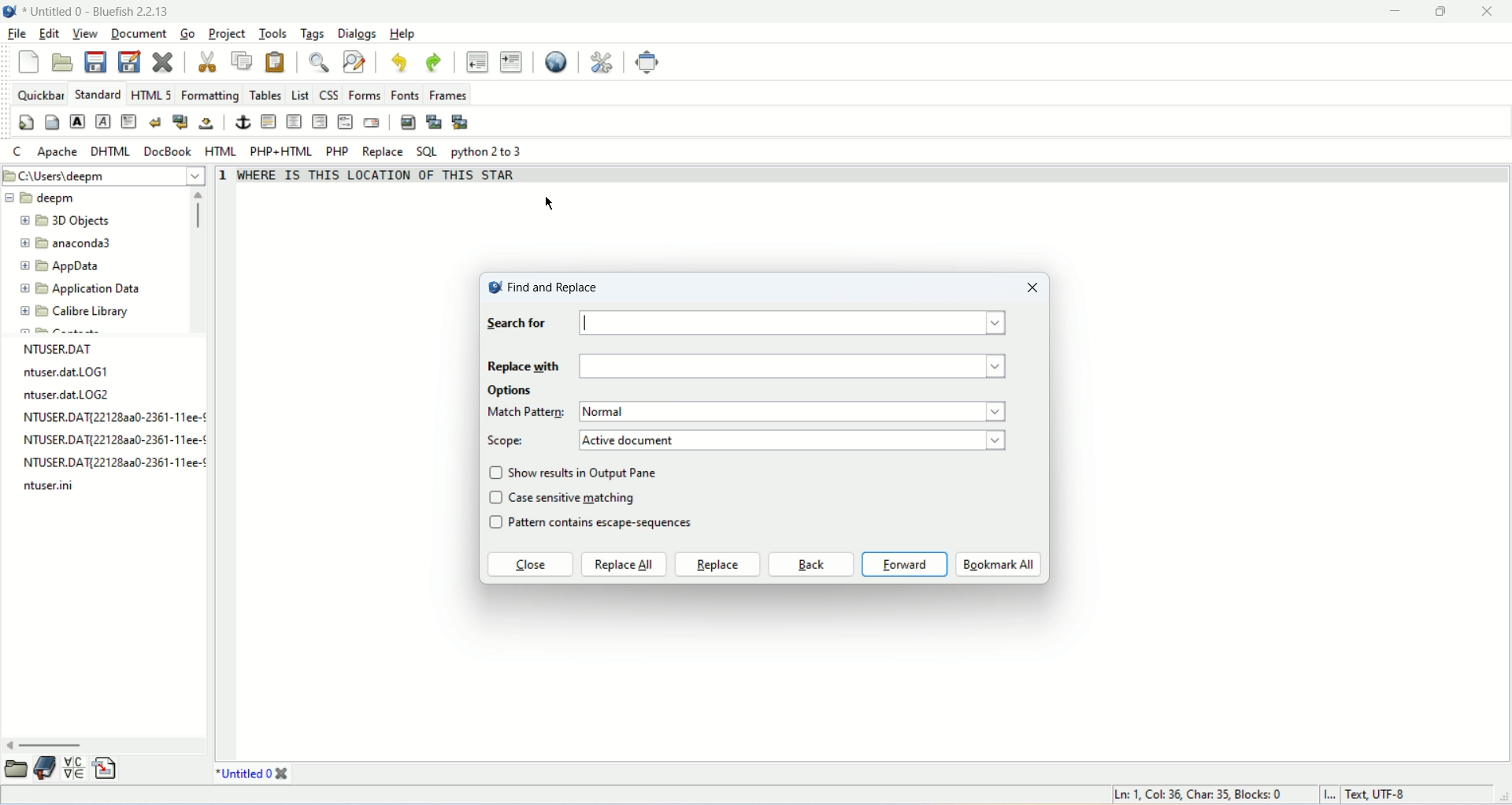 This screenshot has height=805, width=1512. What do you see at coordinates (529, 566) in the screenshot?
I see `close` at bounding box center [529, 566].